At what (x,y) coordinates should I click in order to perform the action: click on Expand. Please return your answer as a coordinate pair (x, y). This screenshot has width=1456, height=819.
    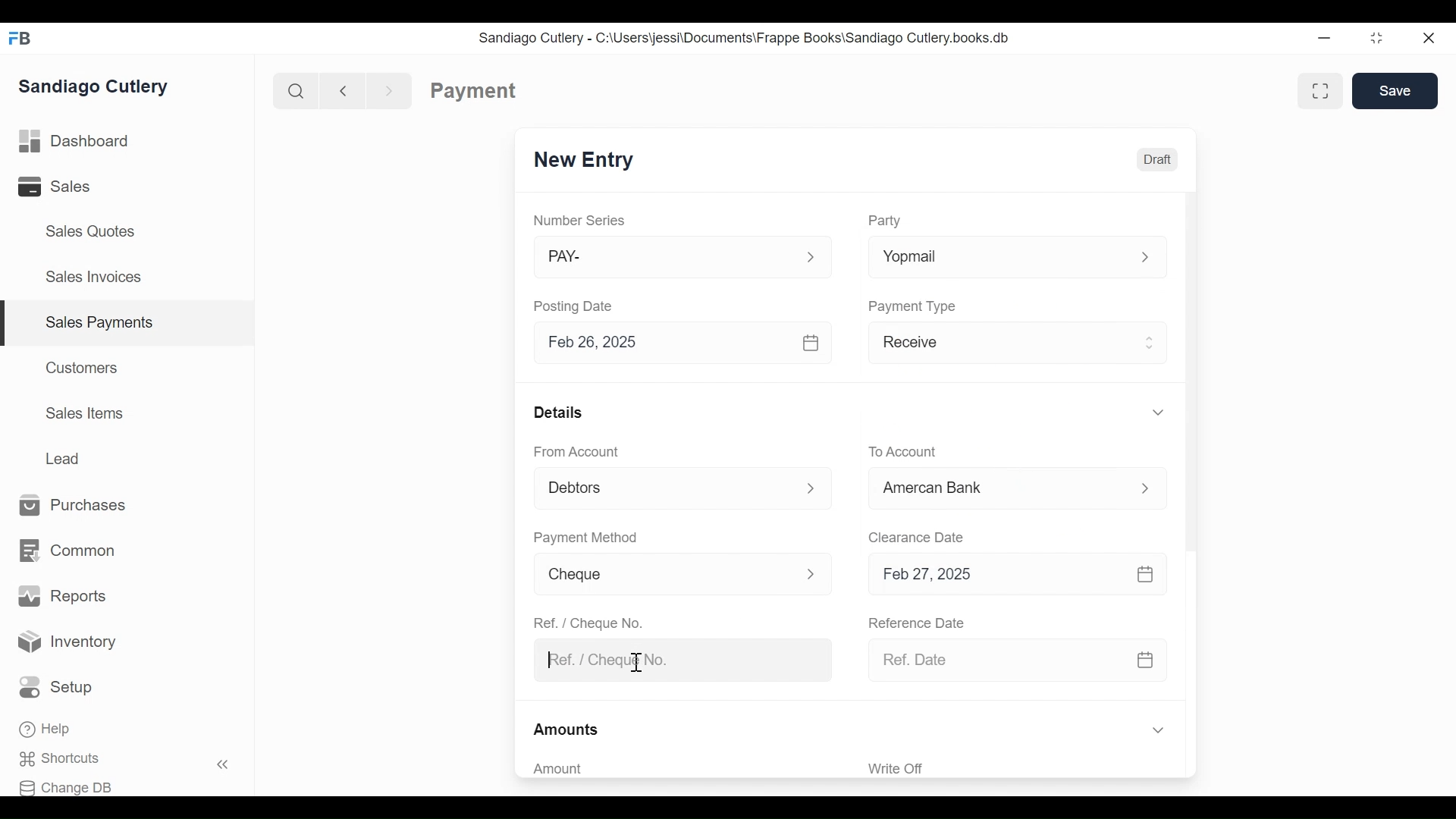
    Looking at the image, I should click on (1157, 412).